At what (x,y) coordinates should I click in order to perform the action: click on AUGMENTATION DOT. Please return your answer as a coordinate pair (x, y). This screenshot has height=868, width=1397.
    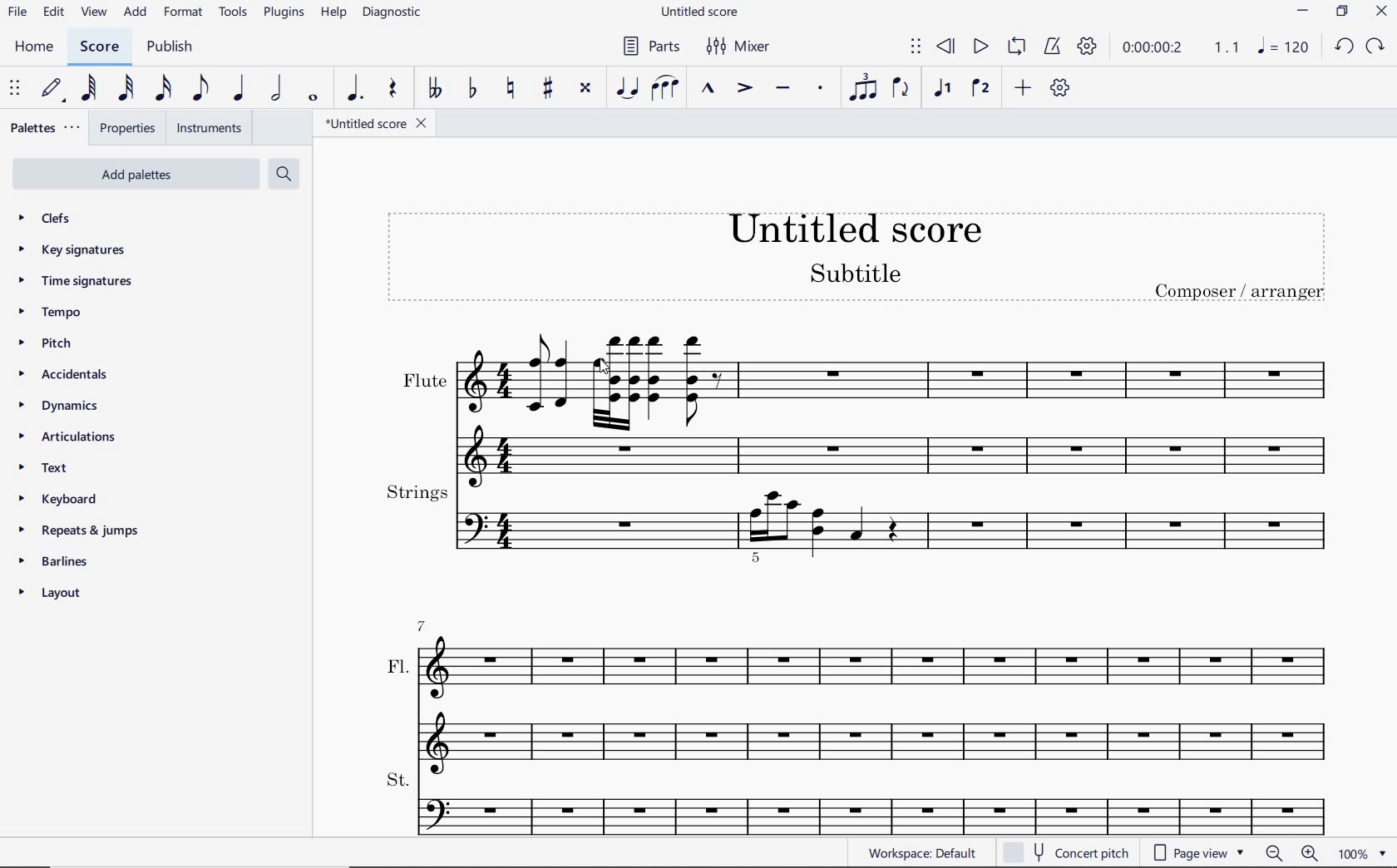
    Looking at the image, I should click on (355, 87).